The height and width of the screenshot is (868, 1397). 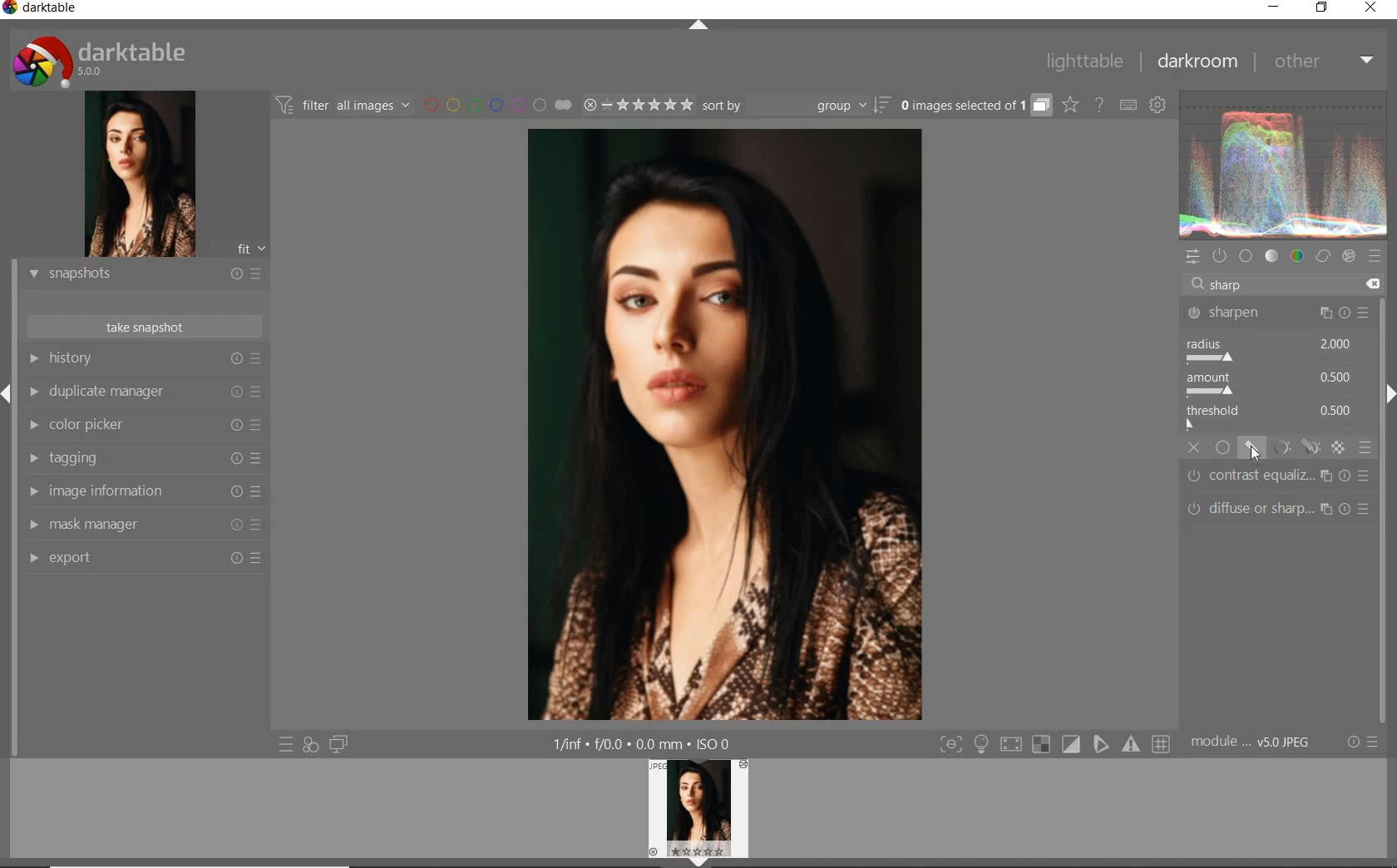 What do you see at coordinates (1323, 10) in the screenshot?
I see `restore` at bounding box center [1323, 10].